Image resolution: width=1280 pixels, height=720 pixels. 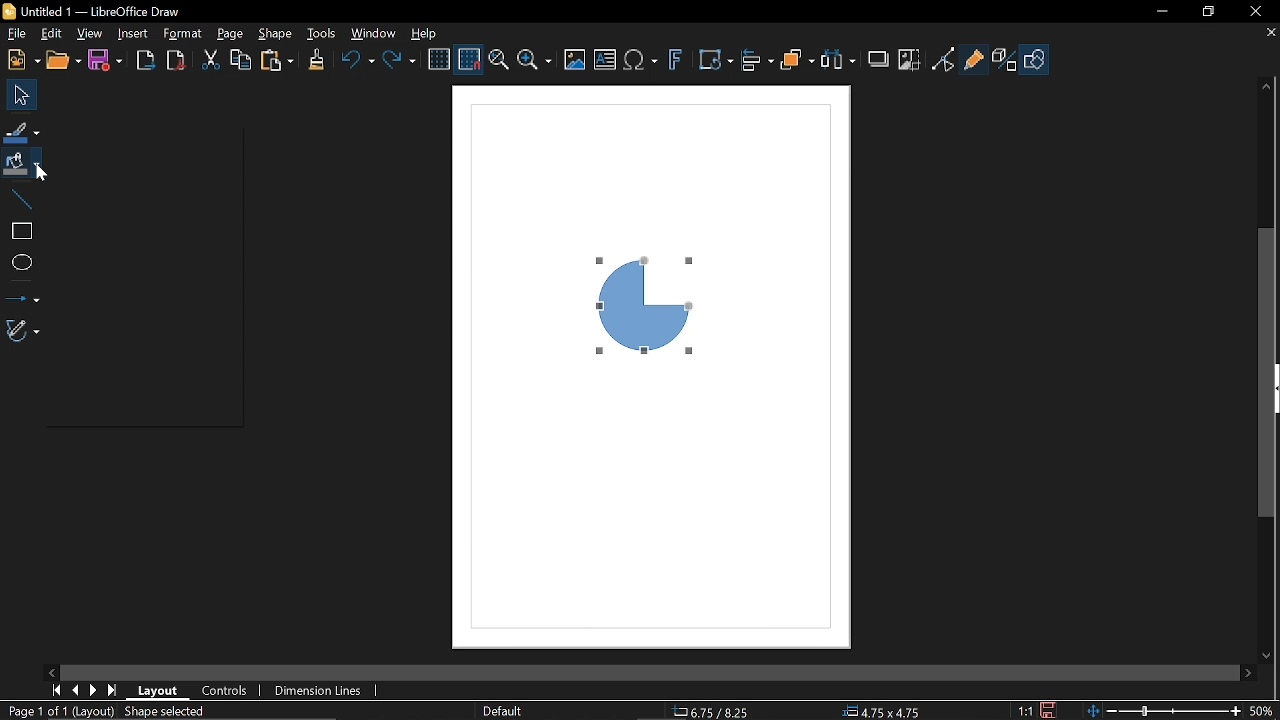 What do you see at coordinates (181, 34) in the screenshot?
I see `Format` at bounding box center [181, 34].